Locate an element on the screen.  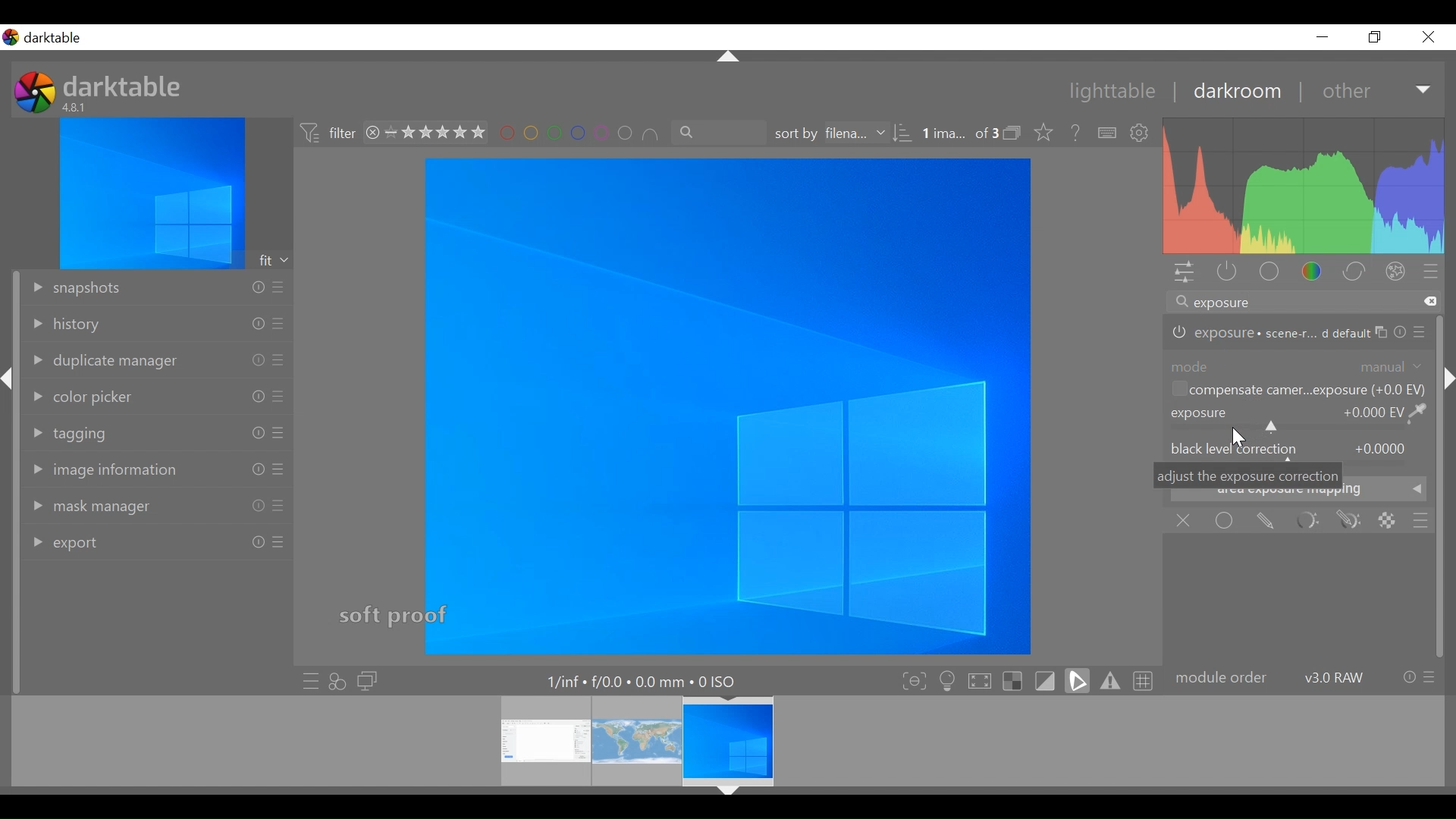
Checkbox is located at coordinates (1178, 389).